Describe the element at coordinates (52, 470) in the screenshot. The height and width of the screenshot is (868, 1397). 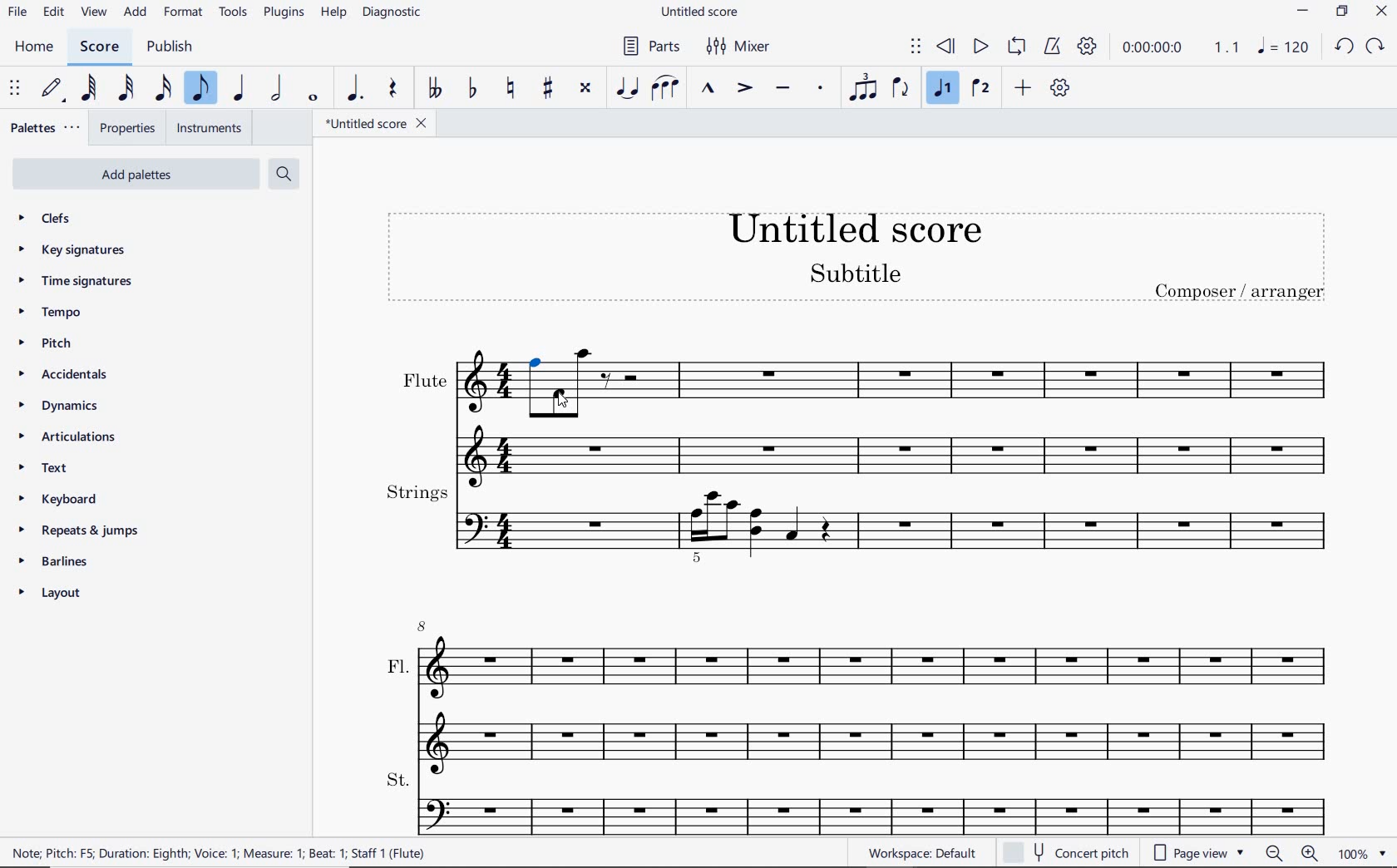
I see `text` at that location.